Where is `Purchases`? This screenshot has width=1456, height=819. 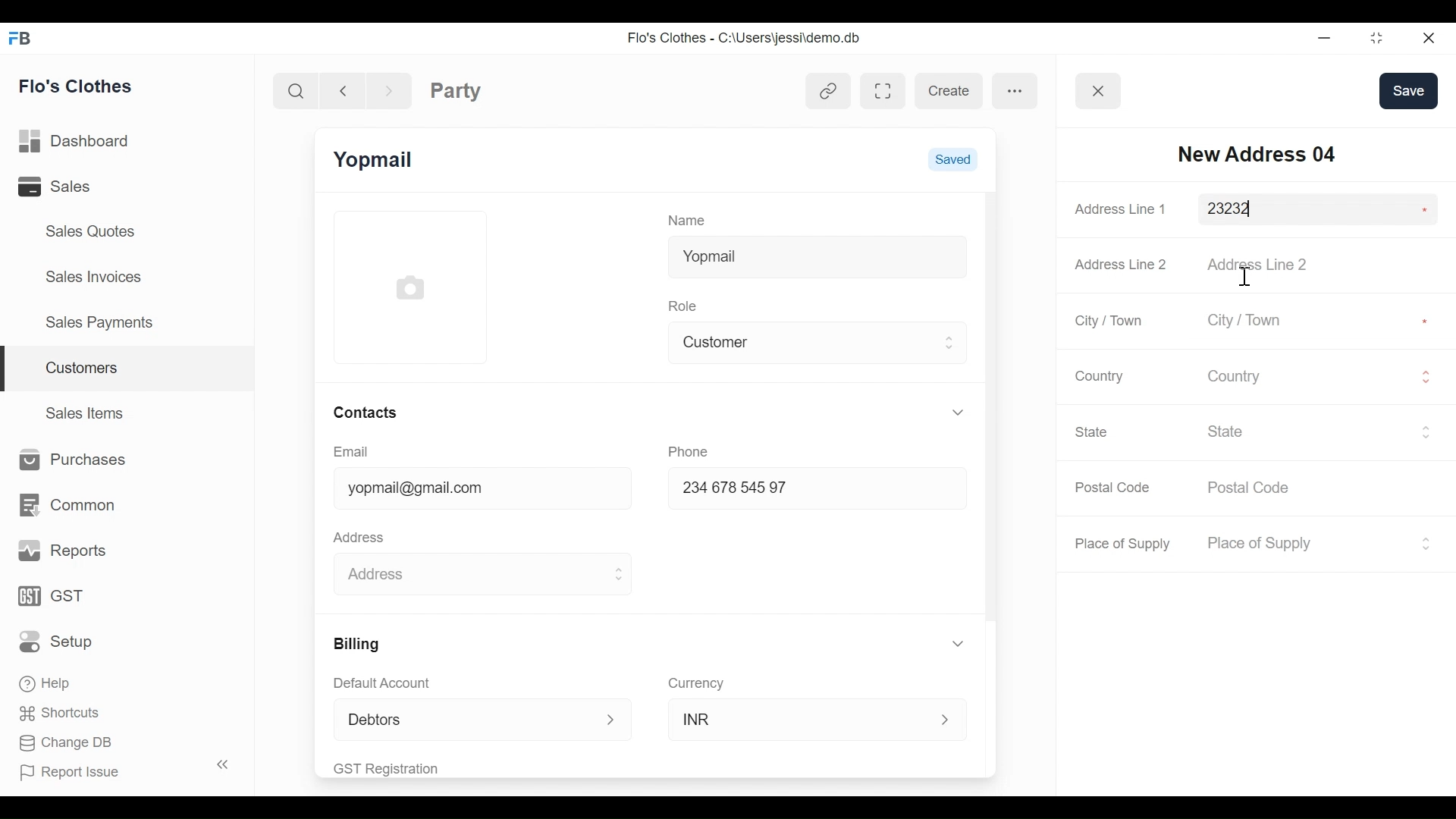 Purchases is located at coordinates (68, 460).